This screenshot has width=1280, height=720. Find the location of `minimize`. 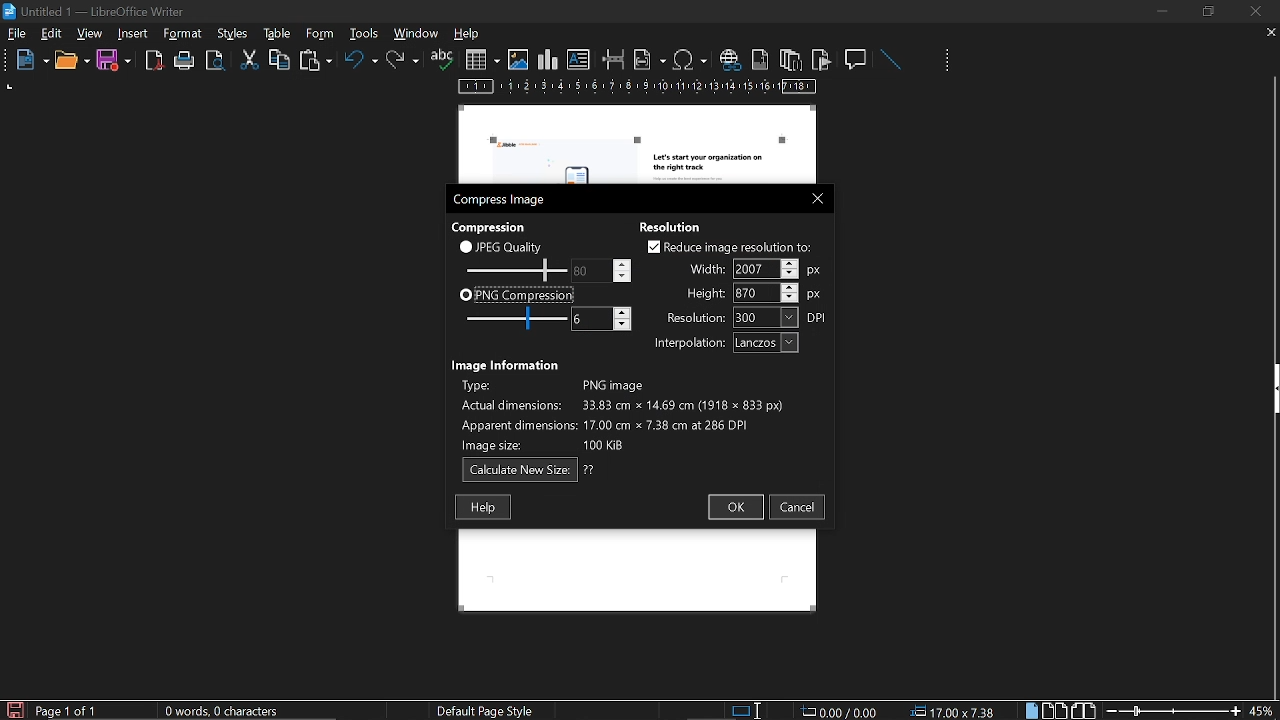

minimize is located at coordinates (1162, 11).